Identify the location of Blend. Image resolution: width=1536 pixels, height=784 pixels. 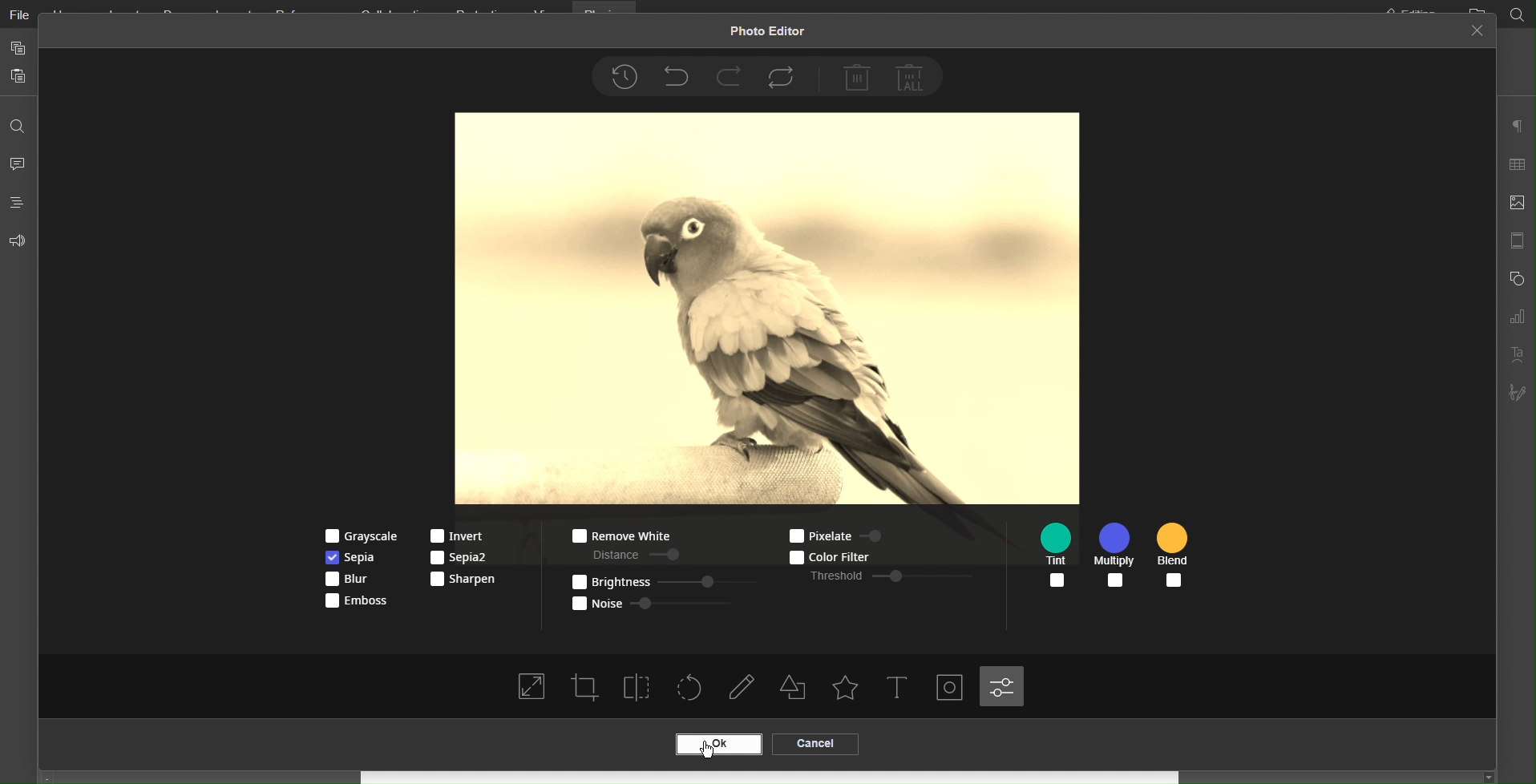
(1175, 557).